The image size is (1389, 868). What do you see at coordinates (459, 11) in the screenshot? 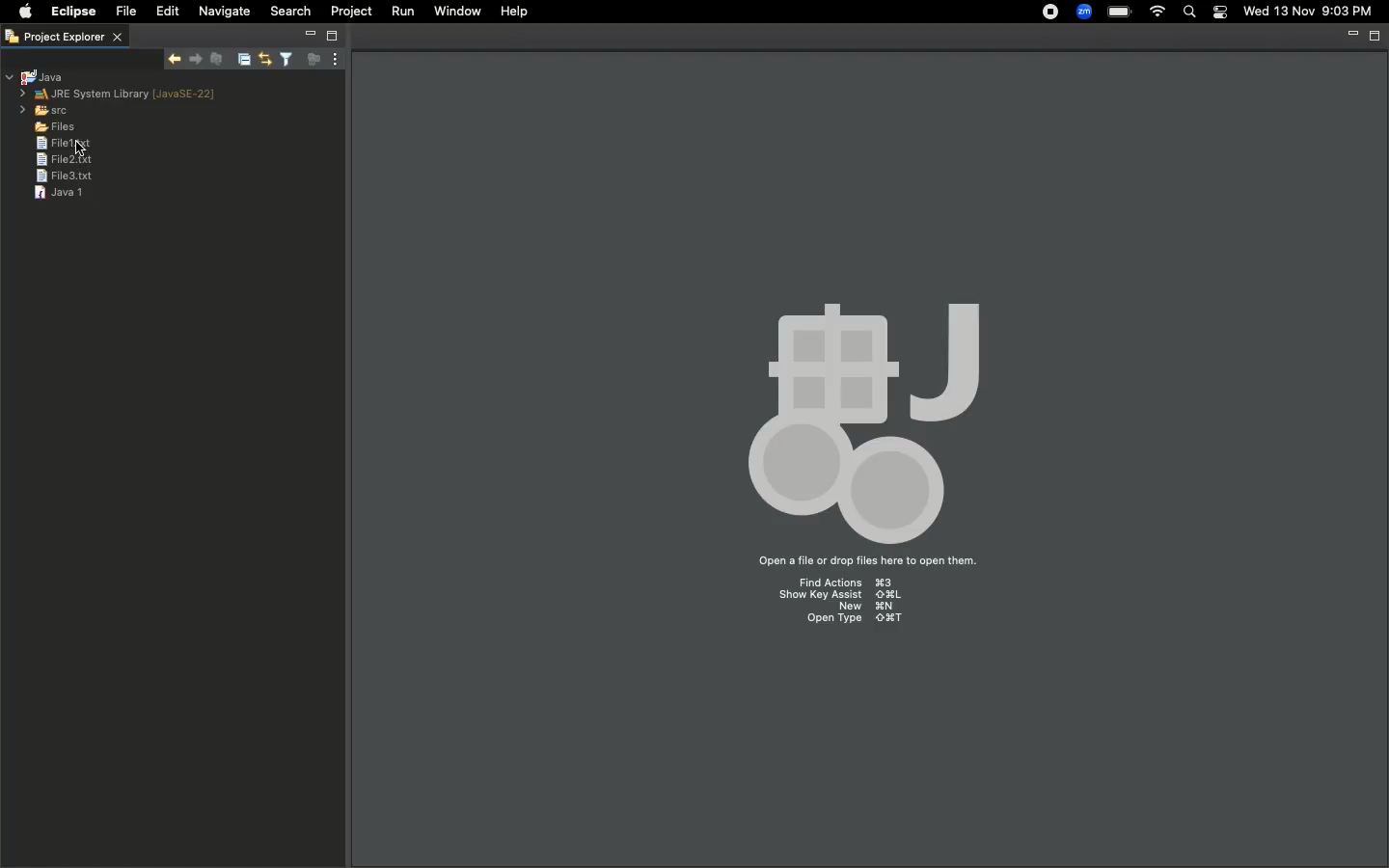
I see `Window` at bounding box center [459, 11].